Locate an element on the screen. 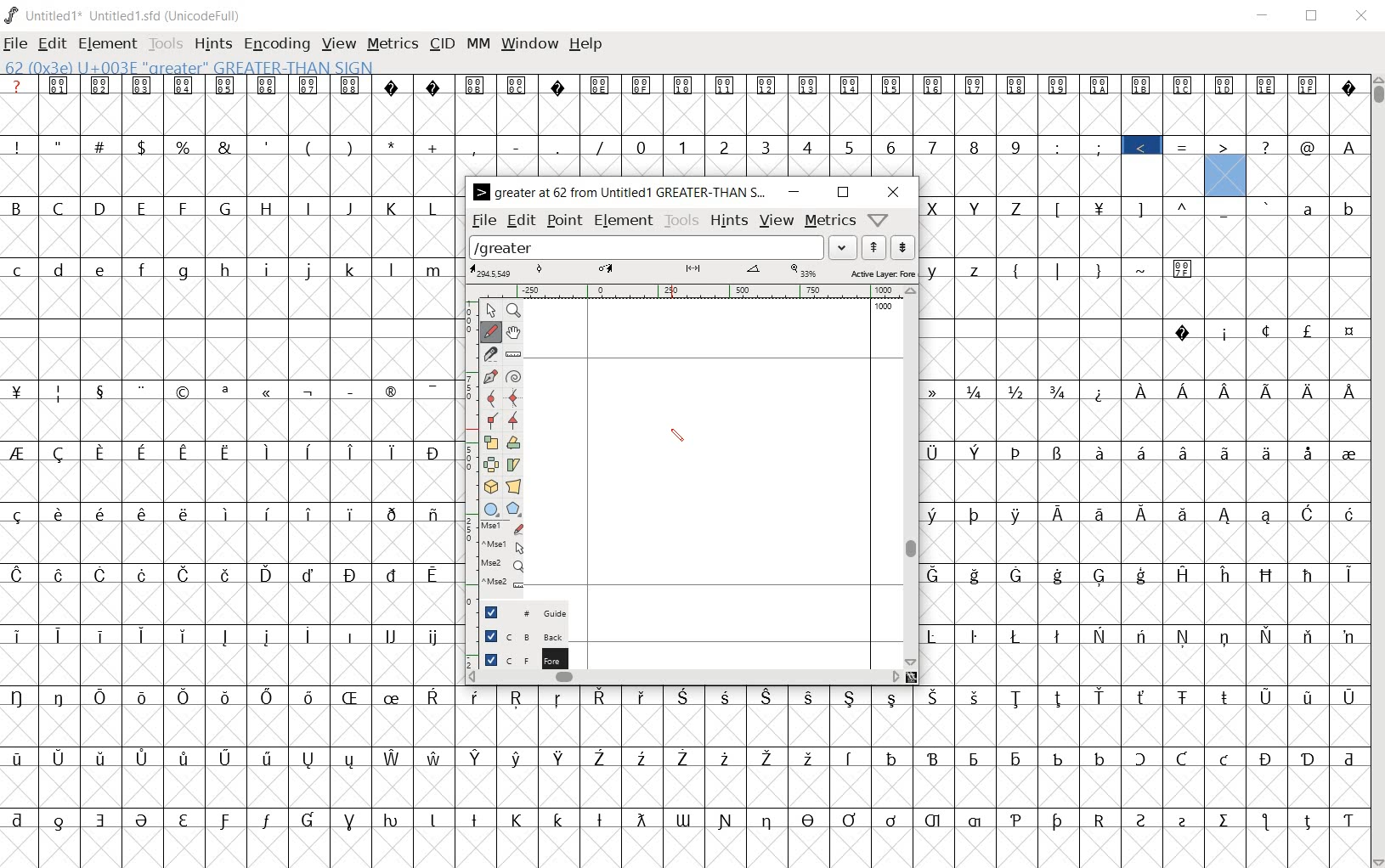 This screenshot has height=868, width=1385. Add a corner point is located at coordinates (492, 420).